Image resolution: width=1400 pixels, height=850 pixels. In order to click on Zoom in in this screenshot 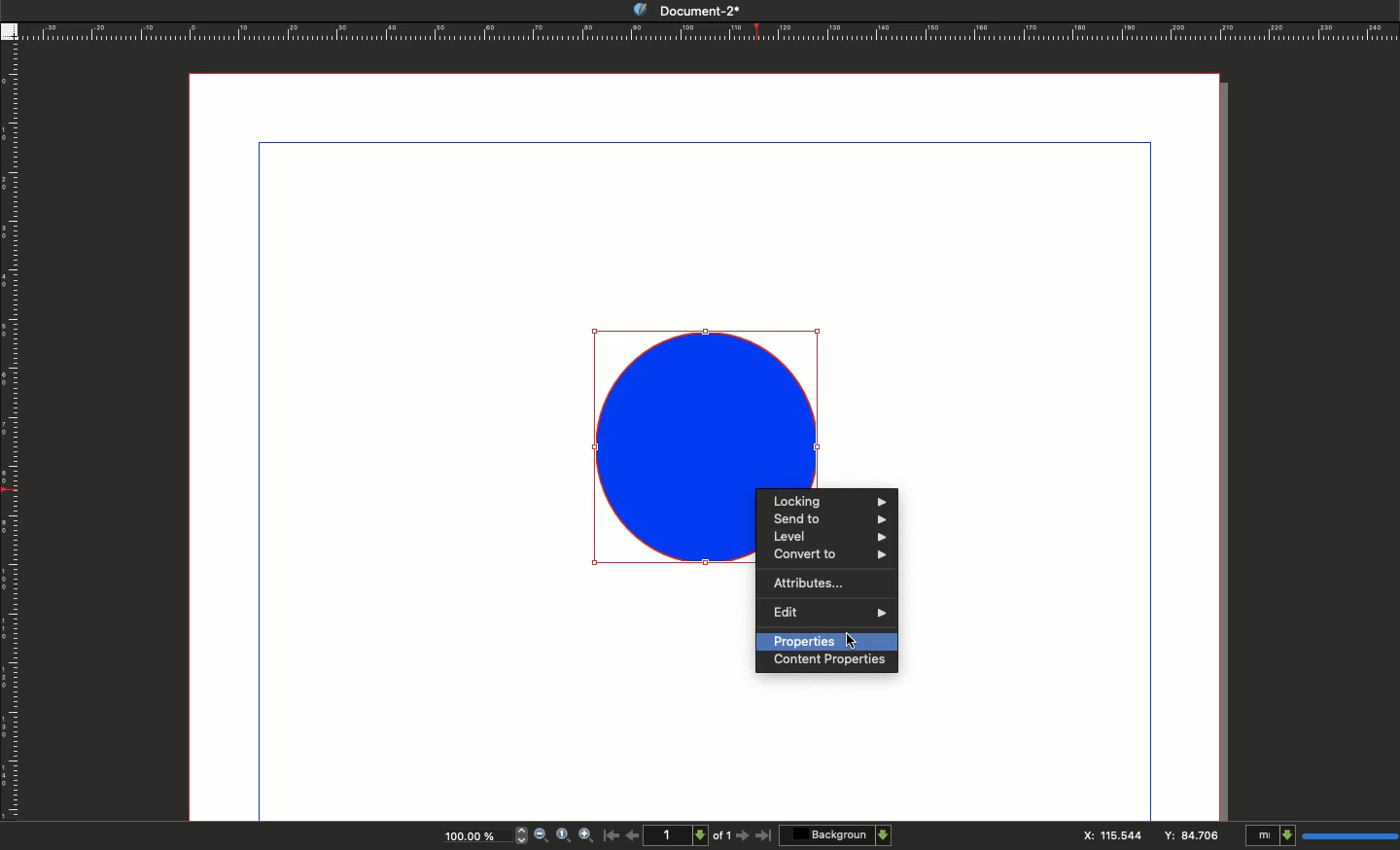, I will do `click(587, 836)`.